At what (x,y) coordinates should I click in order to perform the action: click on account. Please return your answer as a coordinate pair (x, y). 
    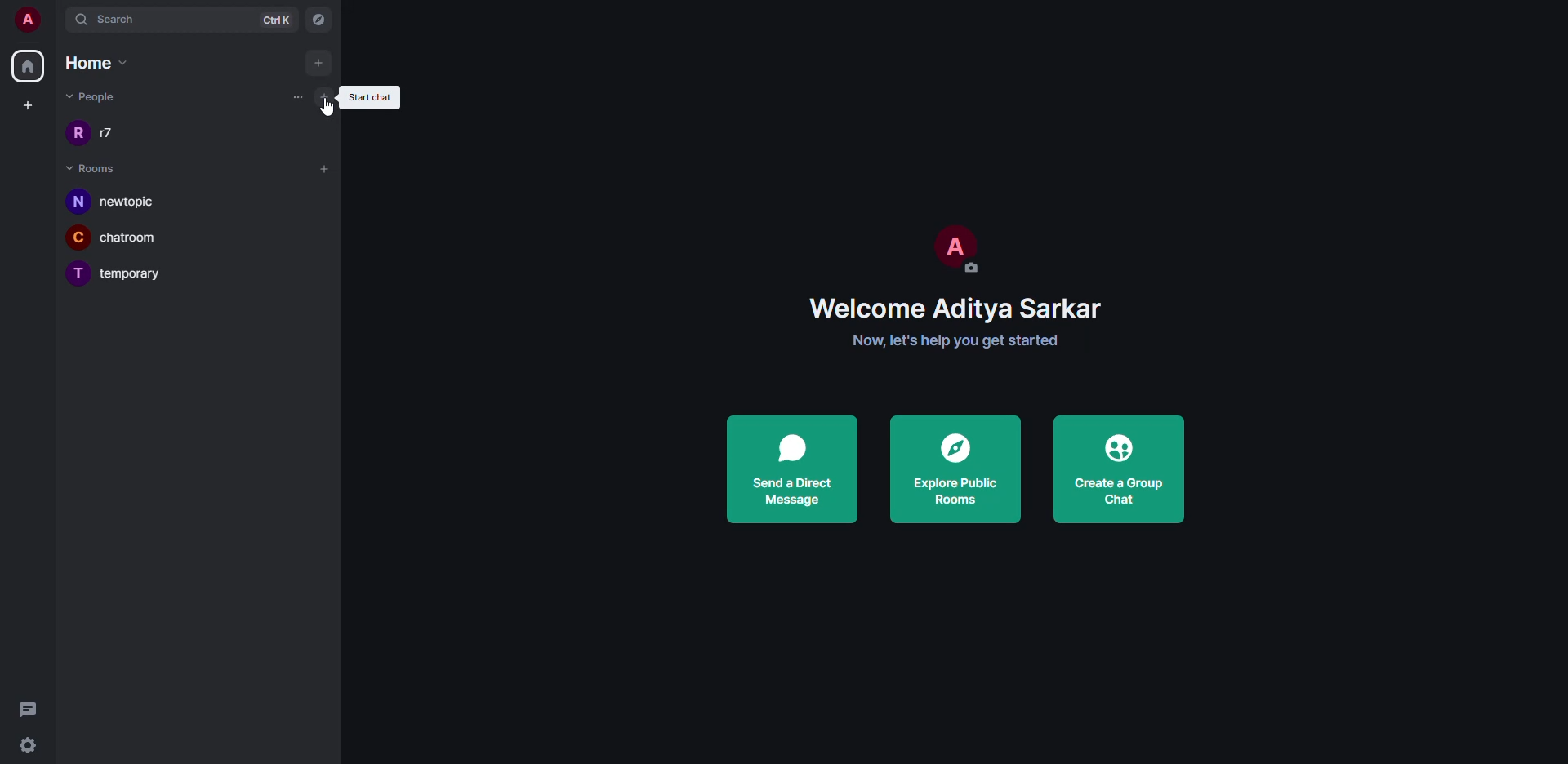
    Looking at the image, I should click on (29, 20).